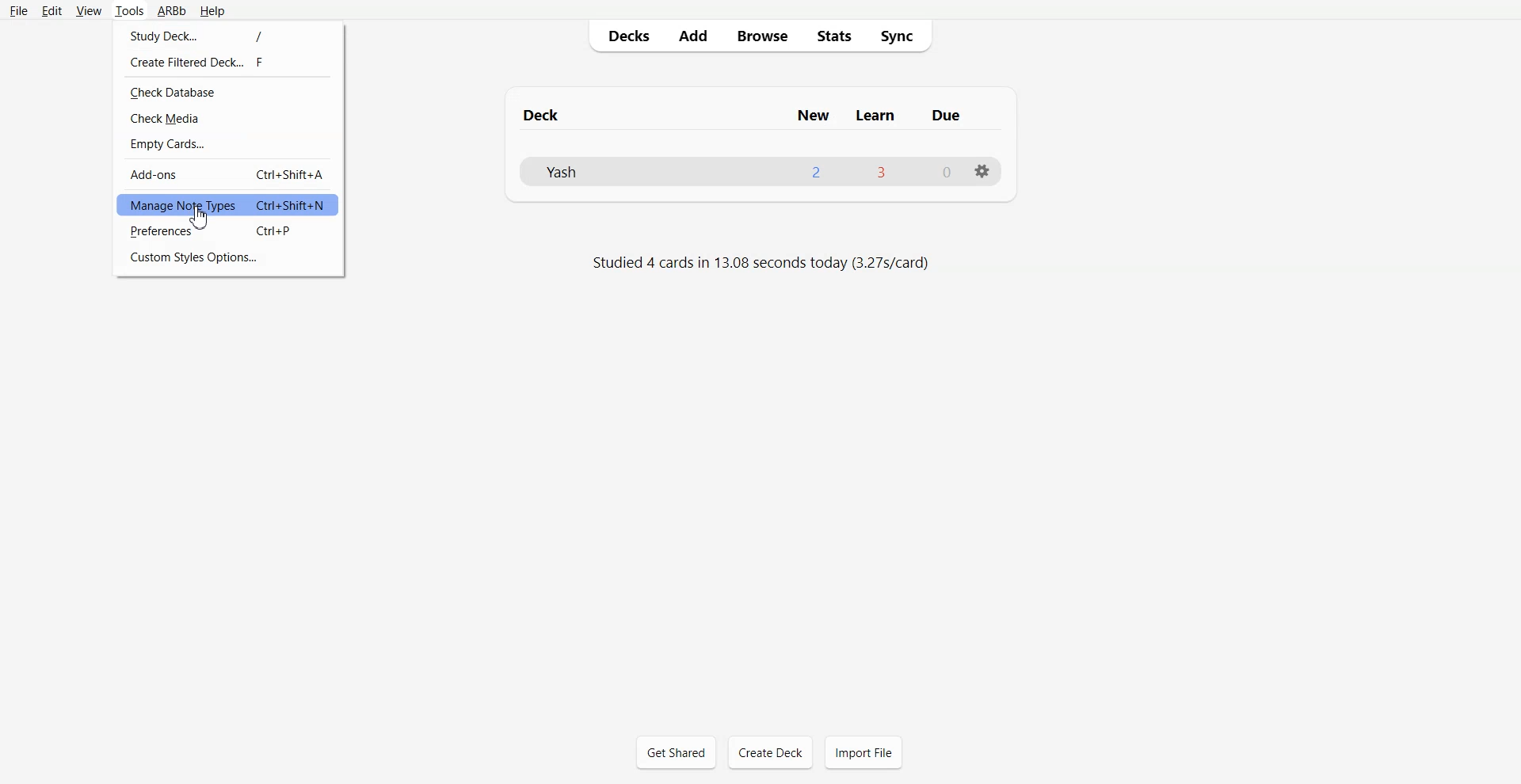  I want to click on Settings, so click(983, 172).